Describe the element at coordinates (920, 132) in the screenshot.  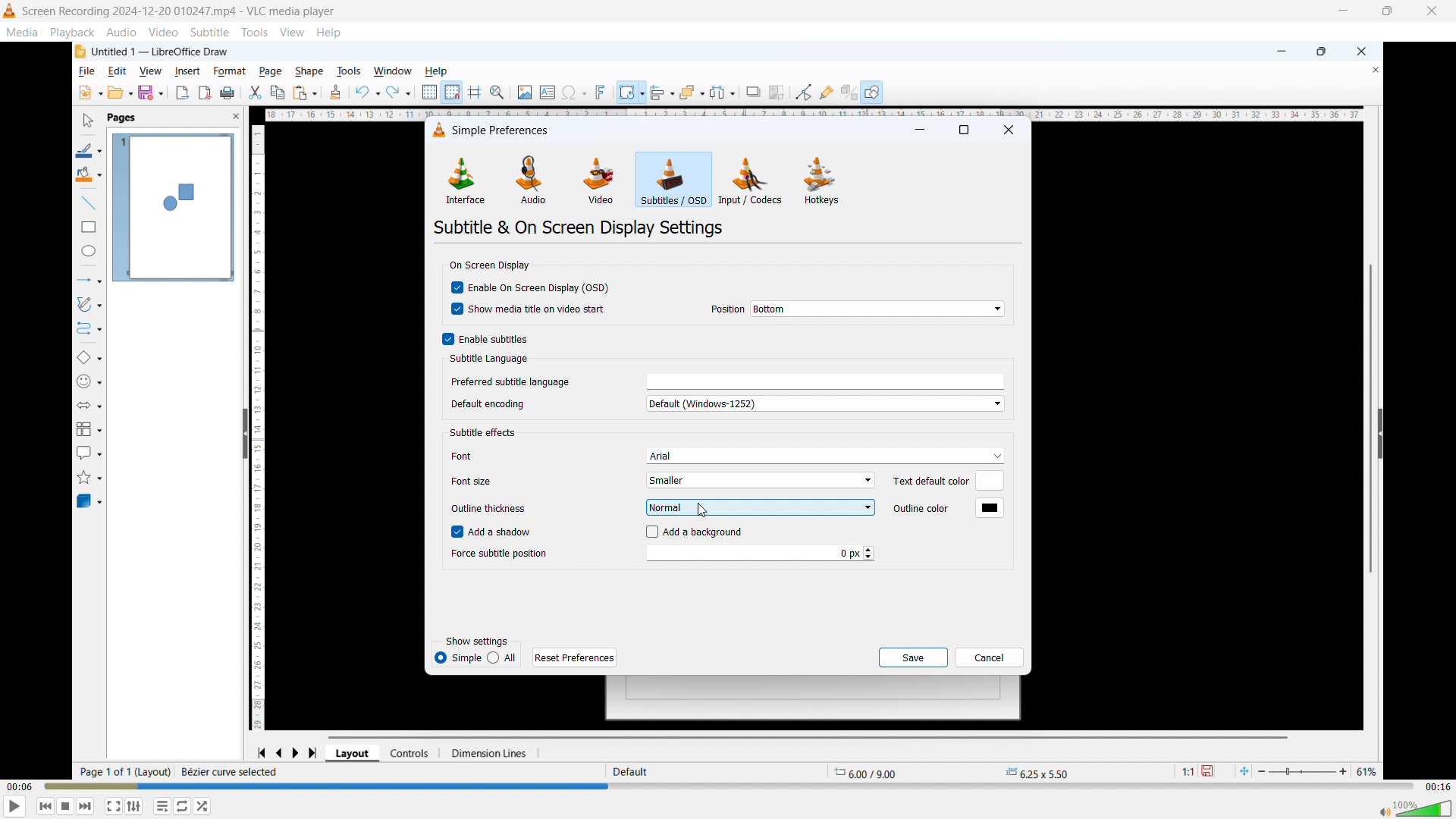
I see `minimise ` at that location.